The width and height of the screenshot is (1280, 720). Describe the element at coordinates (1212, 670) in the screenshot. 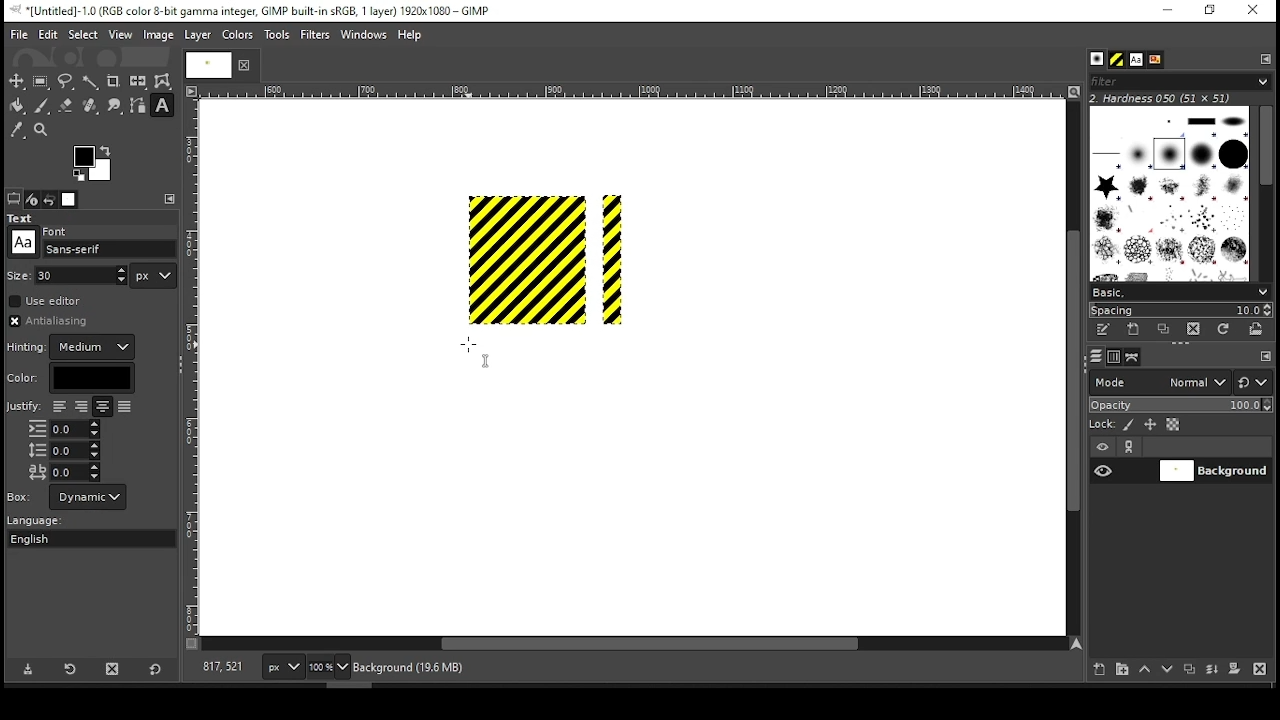

I see `merge layer` at that location.